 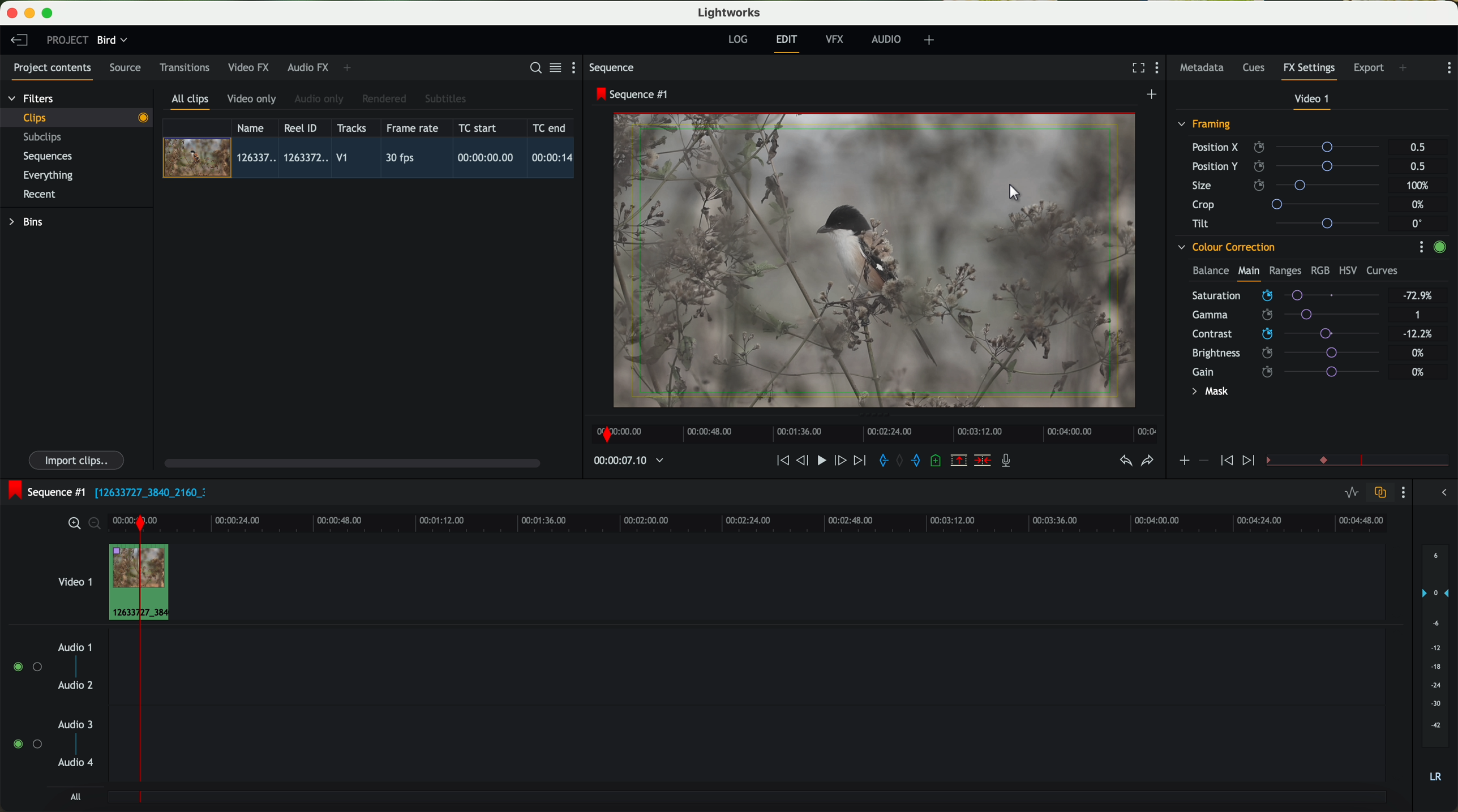 I want to click on balance, so click(x=1211, y=272).